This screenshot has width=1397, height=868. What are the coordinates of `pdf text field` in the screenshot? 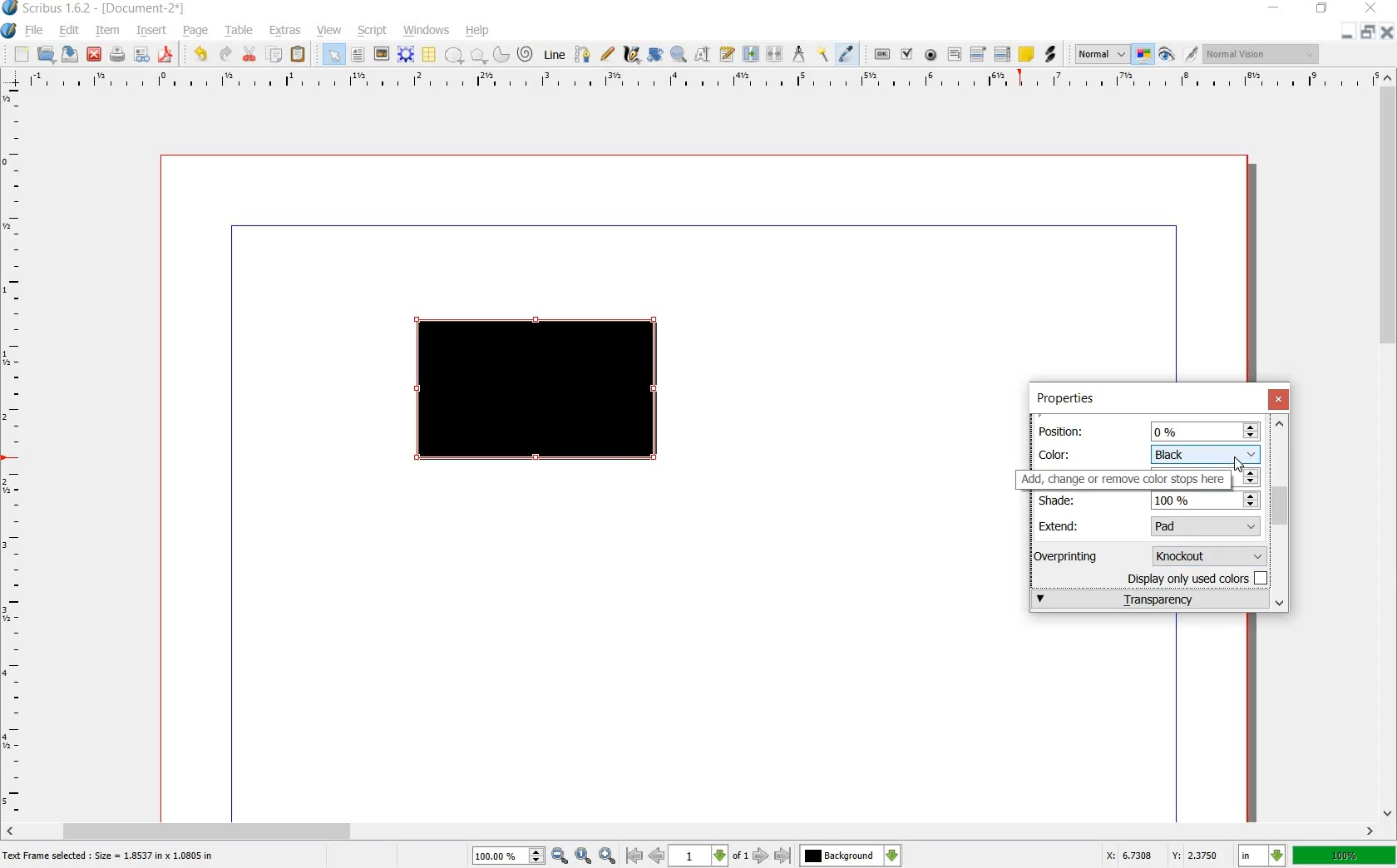 It's located at (954, 54).